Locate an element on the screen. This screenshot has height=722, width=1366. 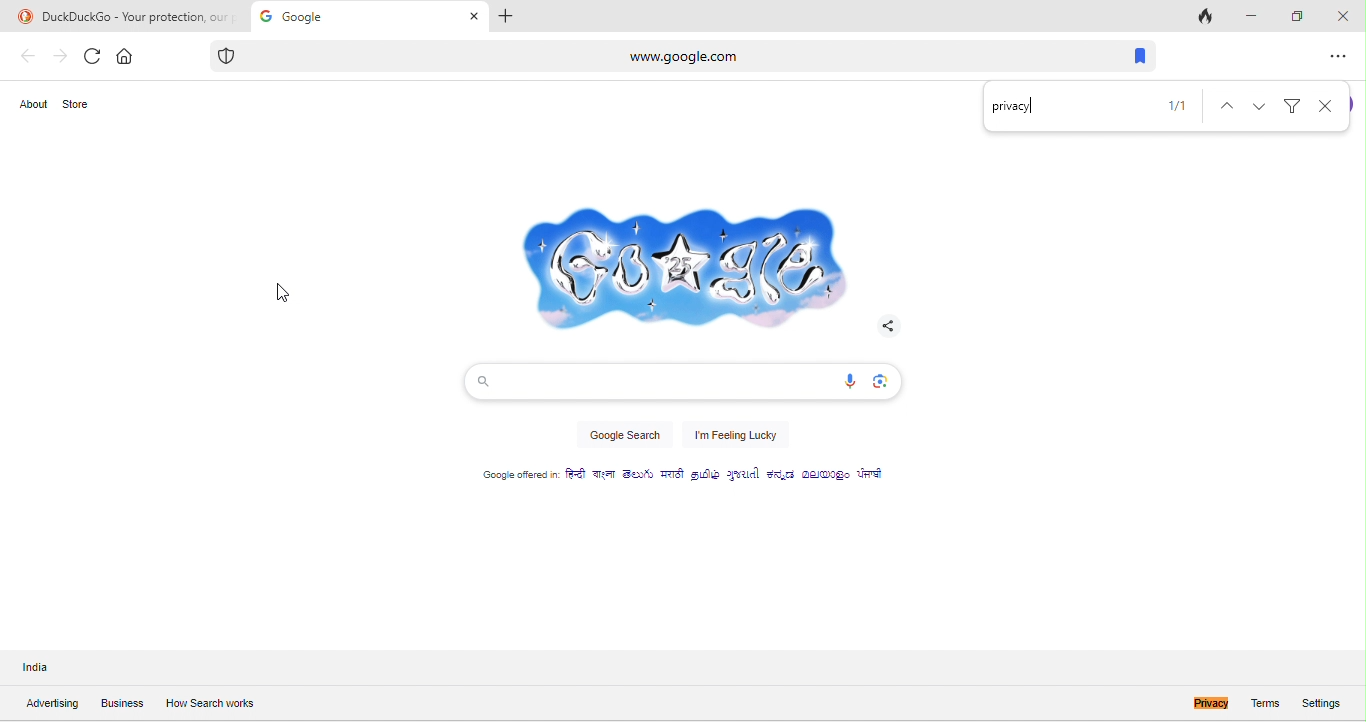
google offered in different type of language is located at coordinates (695, 479).